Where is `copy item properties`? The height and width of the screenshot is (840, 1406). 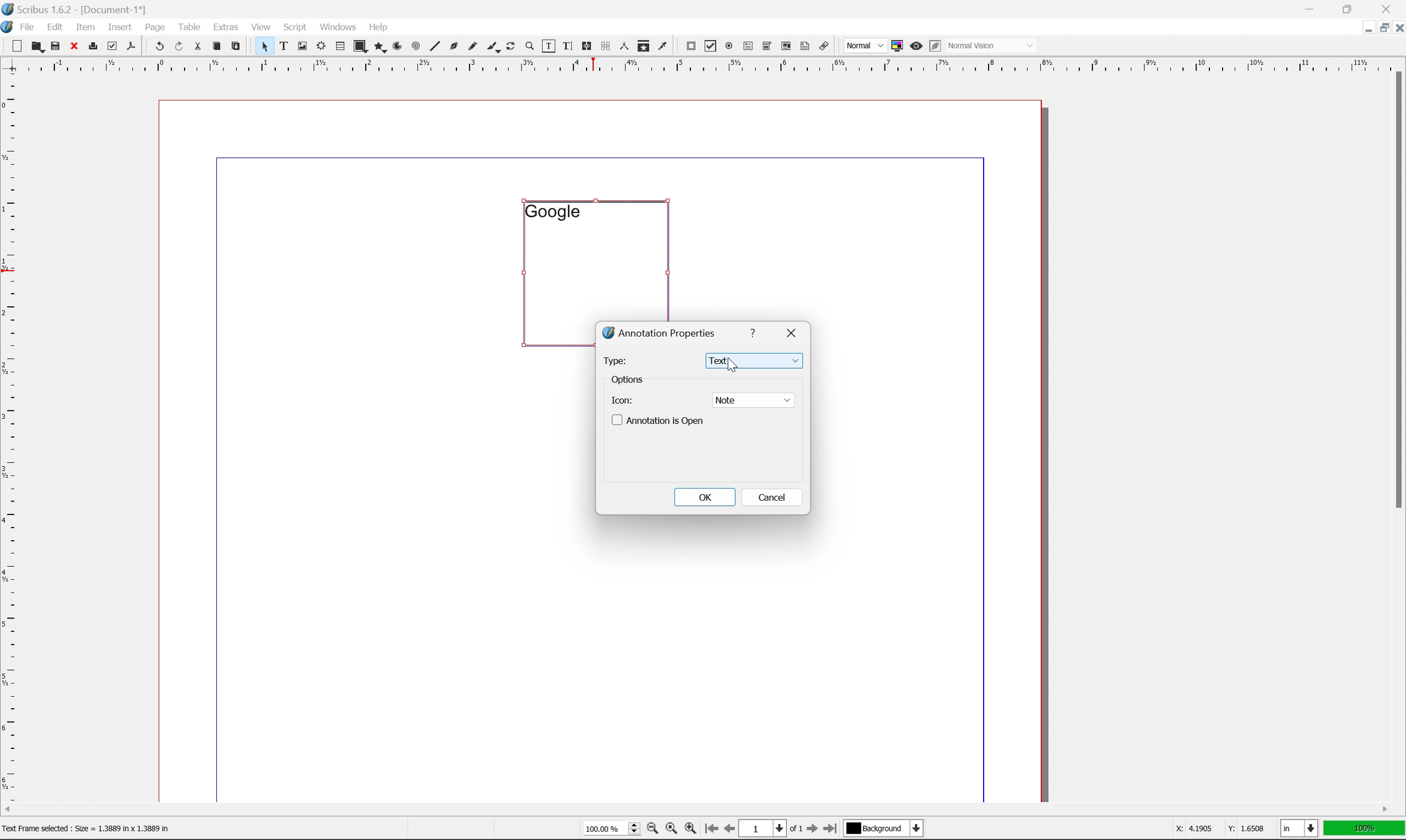 copy item properties is located at coordinates (644, 46).